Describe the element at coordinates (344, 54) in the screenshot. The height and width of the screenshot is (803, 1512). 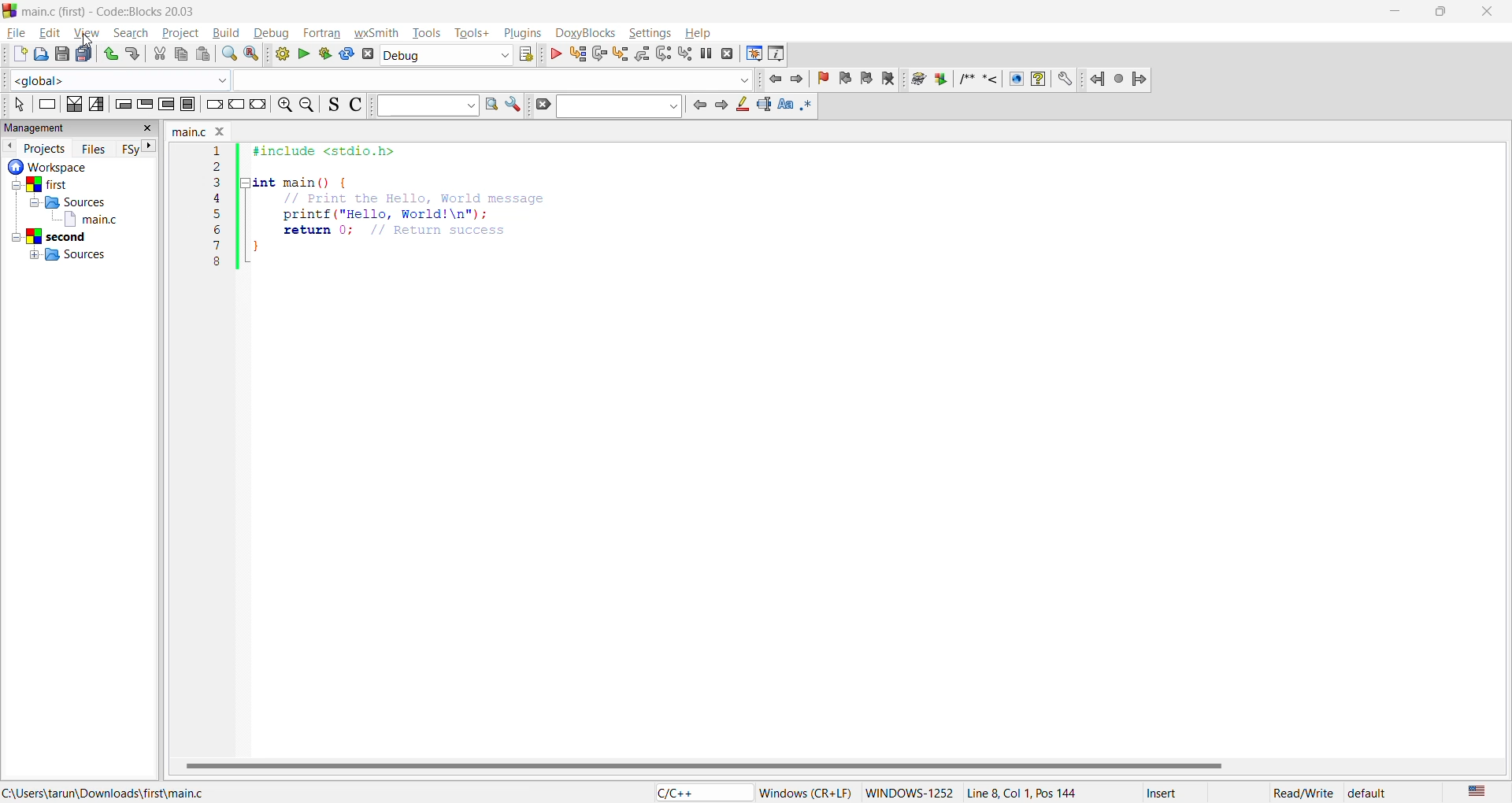
I see `rebuild` at that location.